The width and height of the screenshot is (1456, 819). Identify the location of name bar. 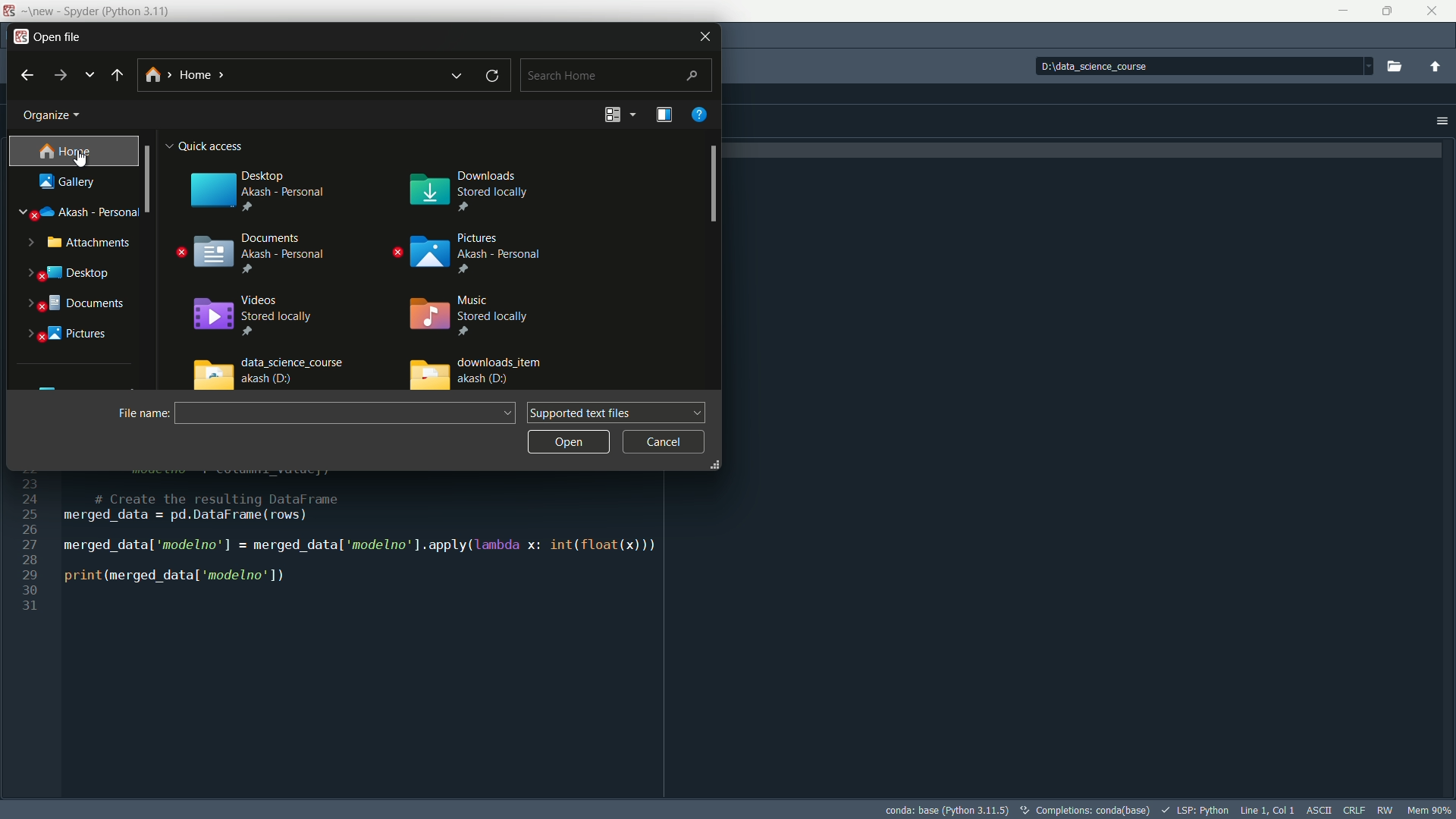
(335, 413).